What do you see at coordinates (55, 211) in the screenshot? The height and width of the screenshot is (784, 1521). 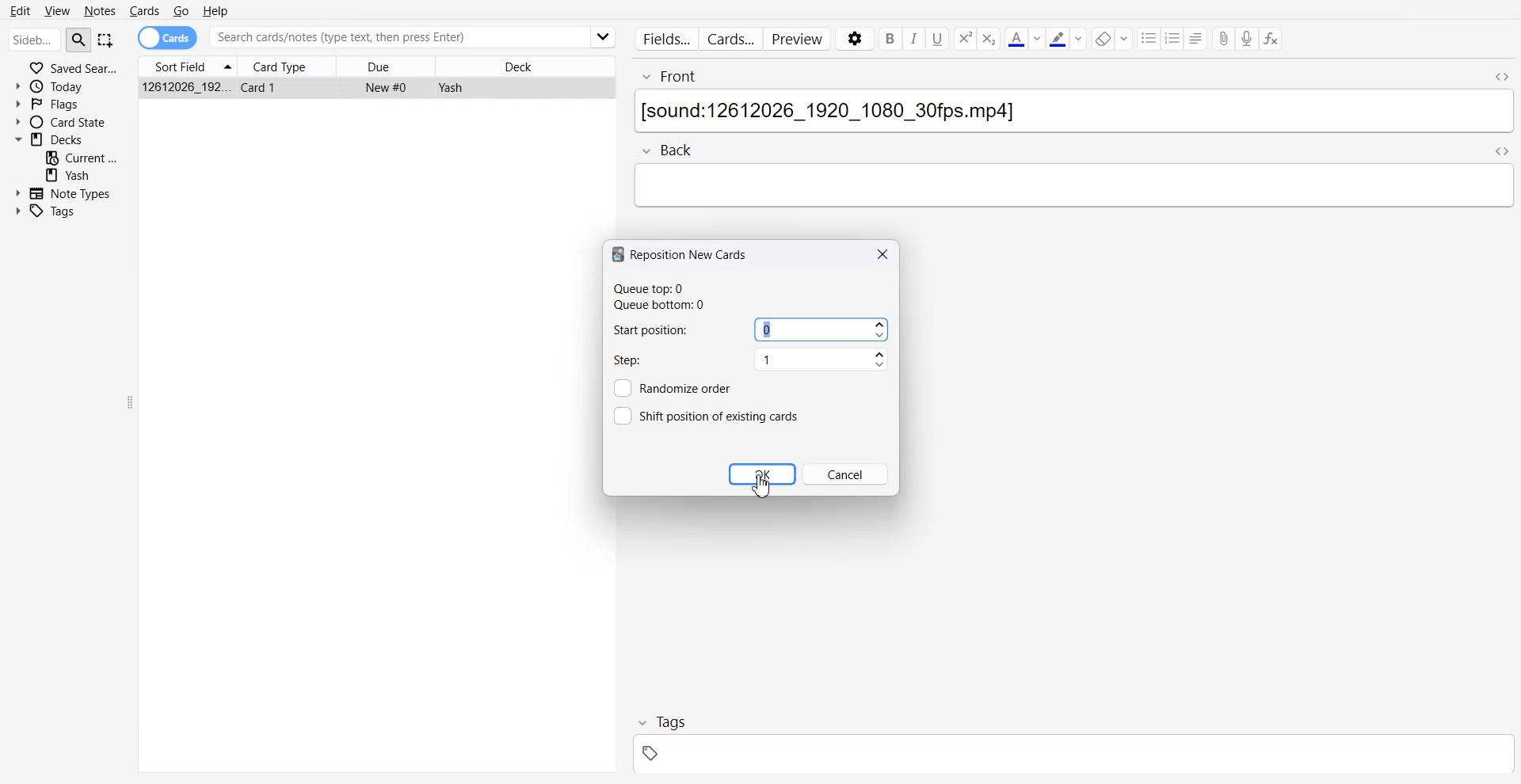 I see `Tags` at bounding box center [55, 211].